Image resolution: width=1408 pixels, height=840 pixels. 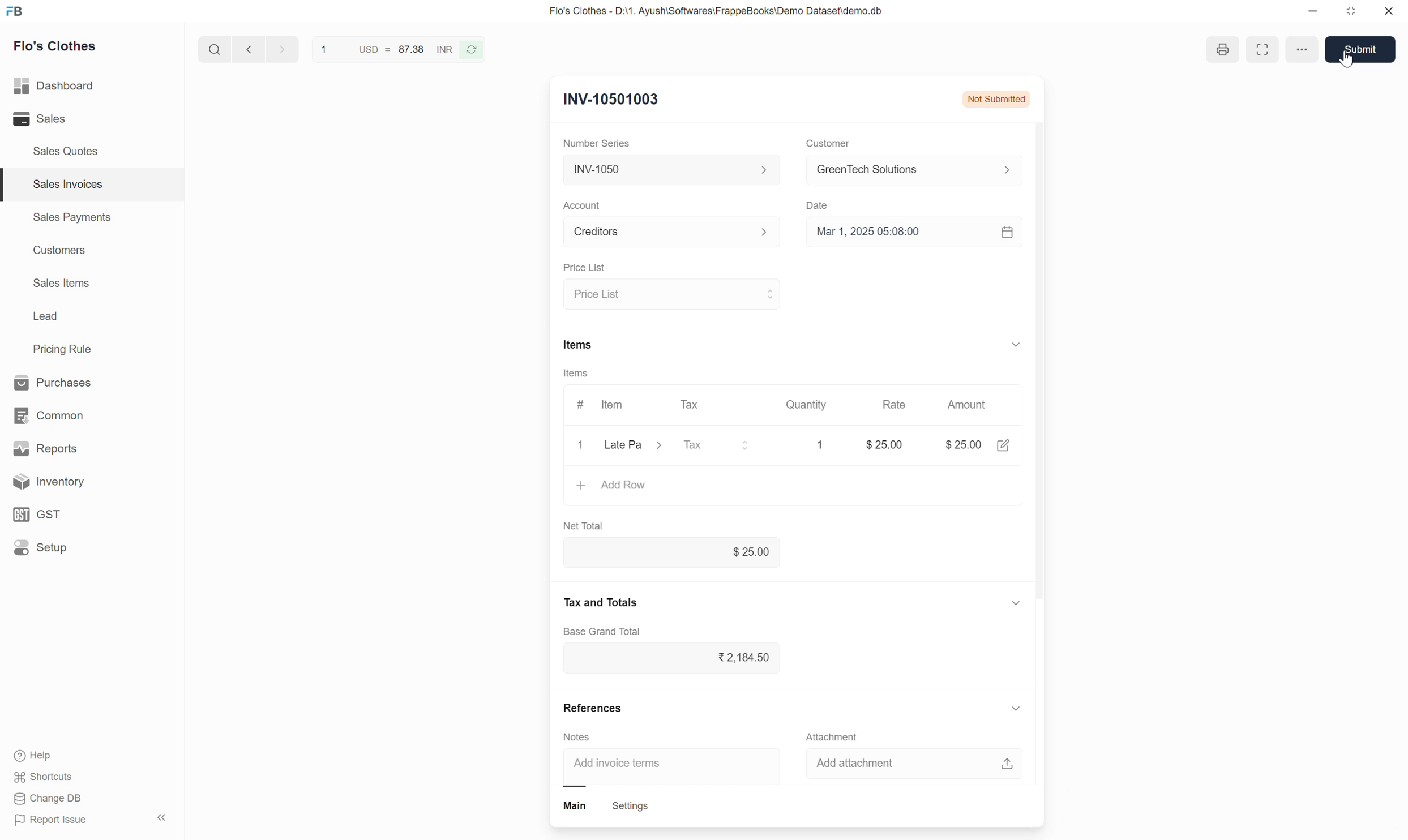 I want to click on Sales Invoices, so click(x=66, y=184).